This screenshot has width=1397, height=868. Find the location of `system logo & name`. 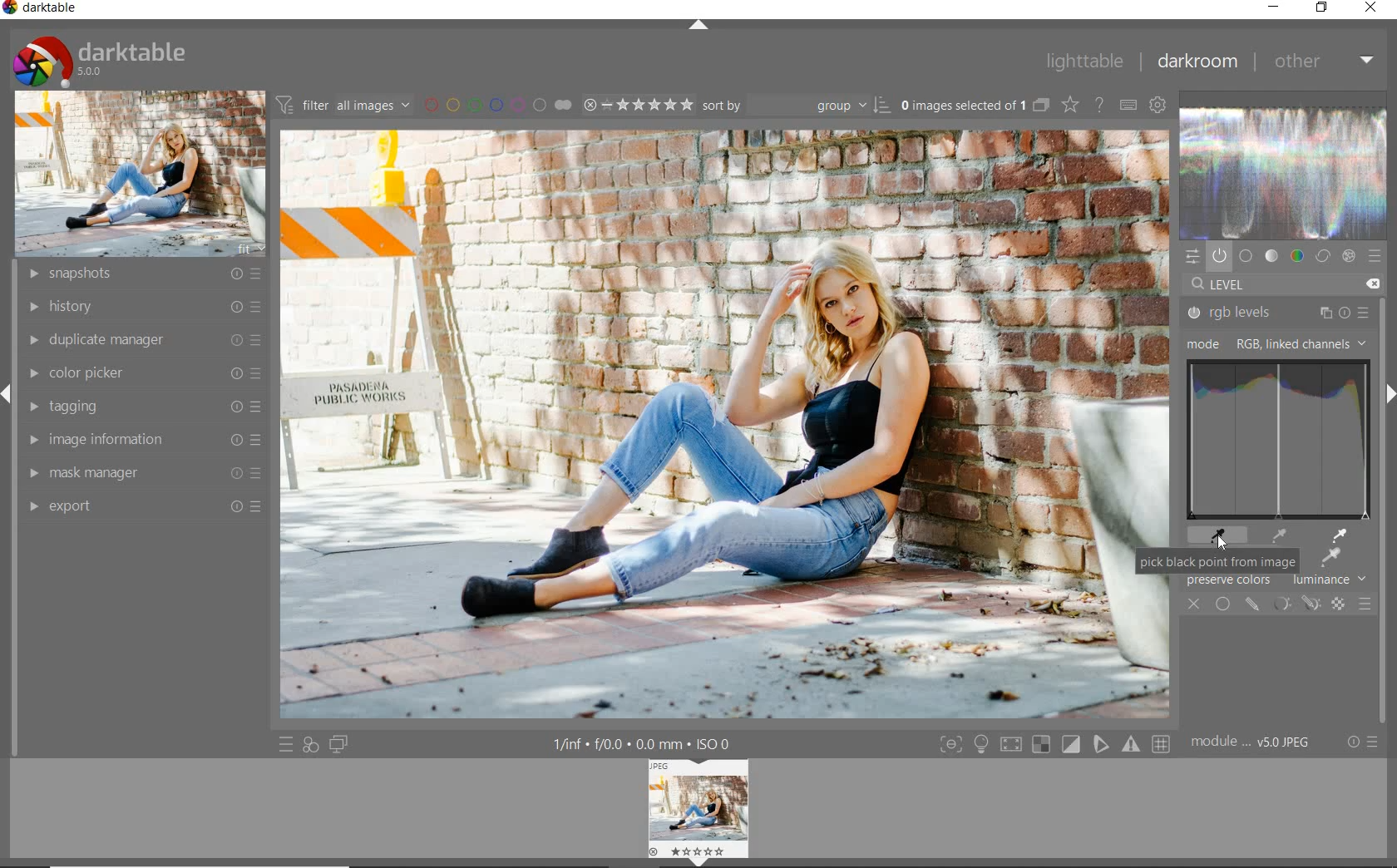

system logo & name is located at coordinates (101, 61).